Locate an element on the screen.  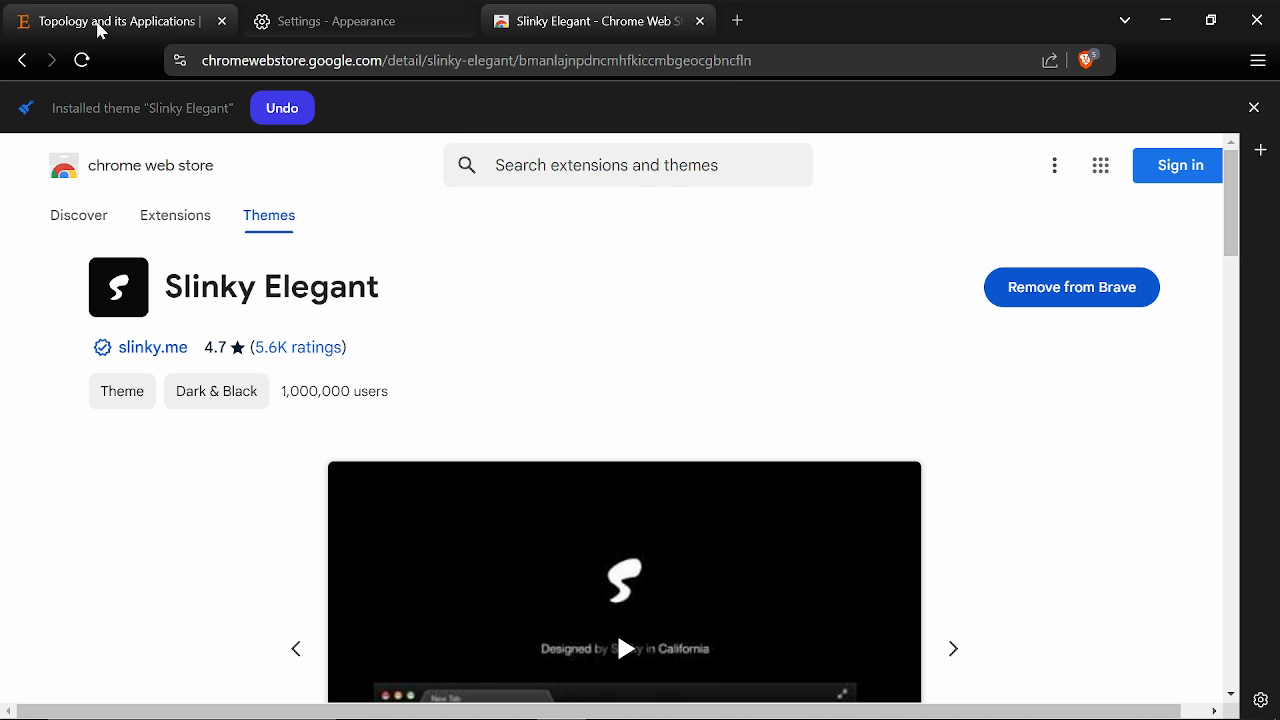
Extensions is located at coordinates (175, 218).